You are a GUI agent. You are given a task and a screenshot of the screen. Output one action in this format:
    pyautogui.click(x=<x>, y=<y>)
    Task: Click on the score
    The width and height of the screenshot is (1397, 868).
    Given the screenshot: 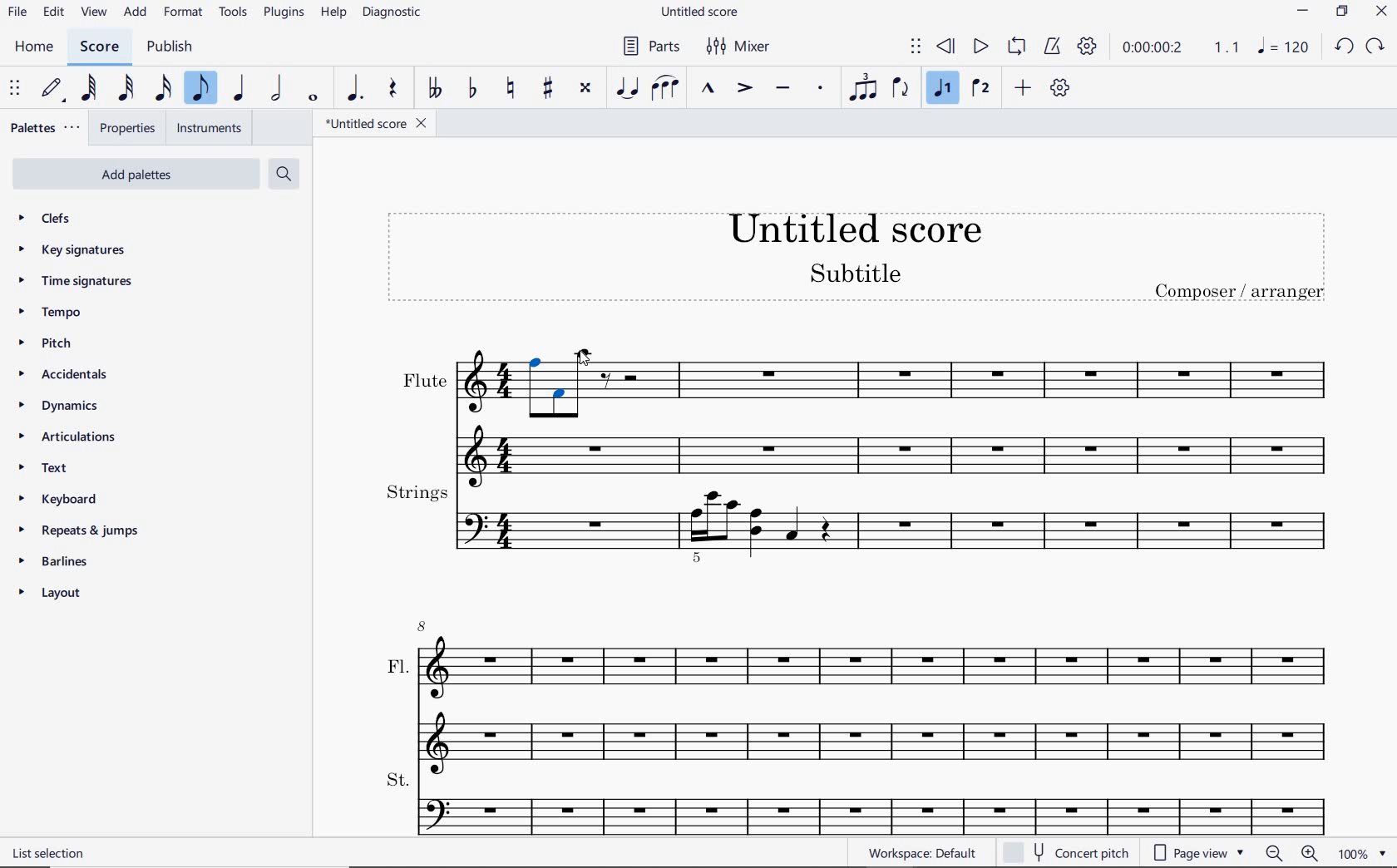 What is the action you would take?
    pyautogui.click(x=97, y=47)
    